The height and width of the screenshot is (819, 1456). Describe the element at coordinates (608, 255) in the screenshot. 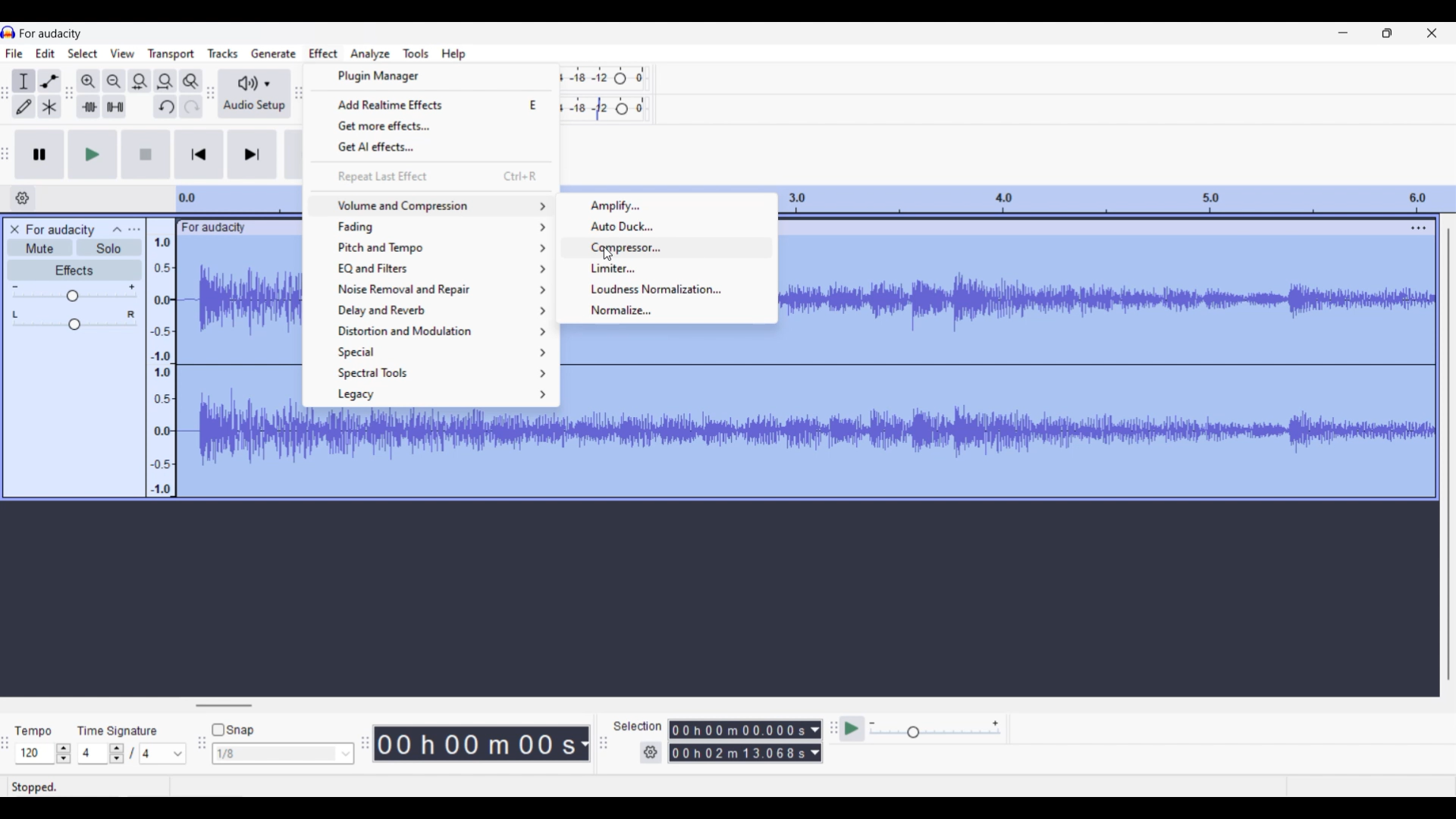

I see `Cursor clicking on Compressor` at that location.